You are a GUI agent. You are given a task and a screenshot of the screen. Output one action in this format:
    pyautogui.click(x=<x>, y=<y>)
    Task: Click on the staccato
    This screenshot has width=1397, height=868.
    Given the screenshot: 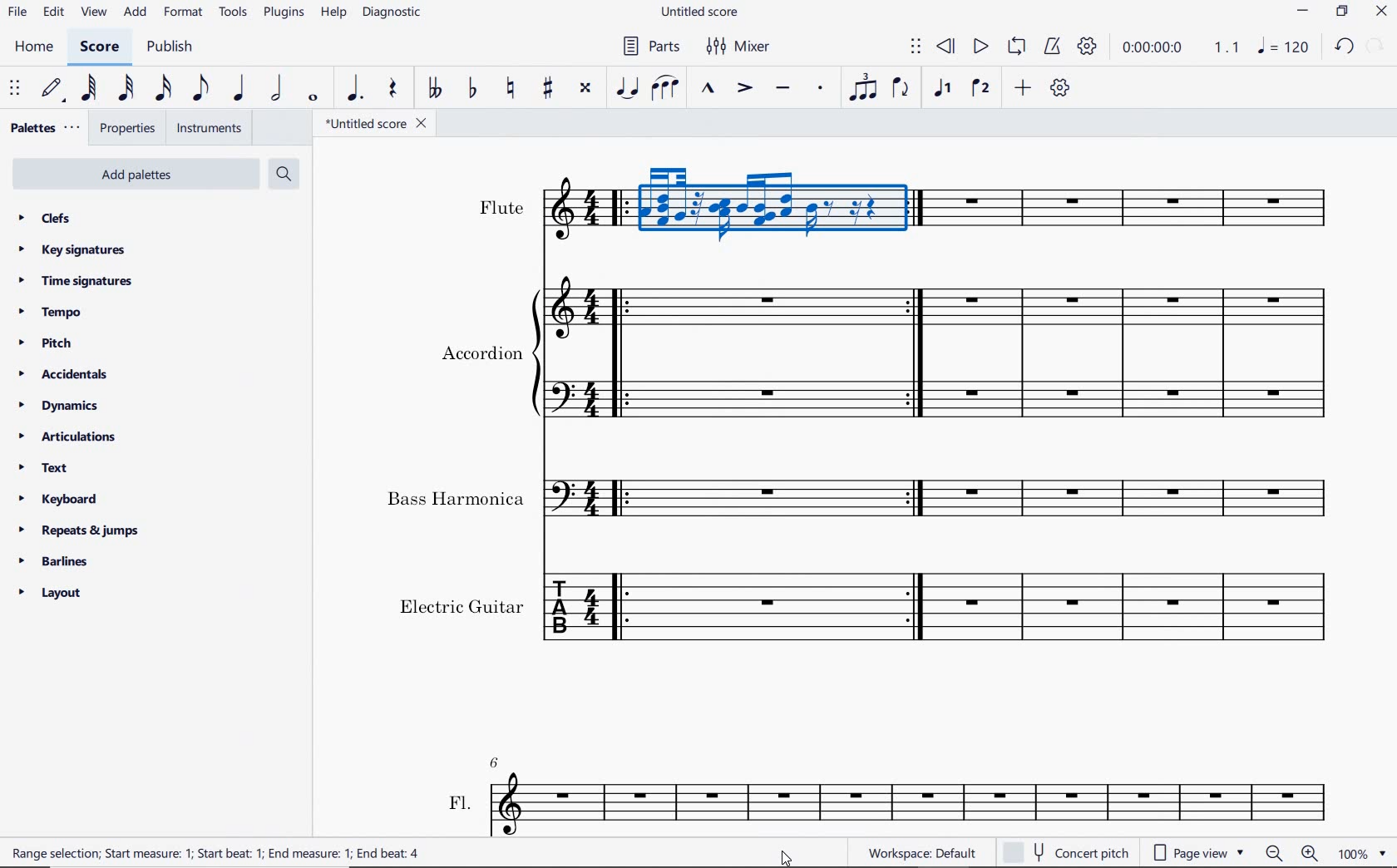 What is the action you would take?
    pyautogui.click(x=822, y=91)
    